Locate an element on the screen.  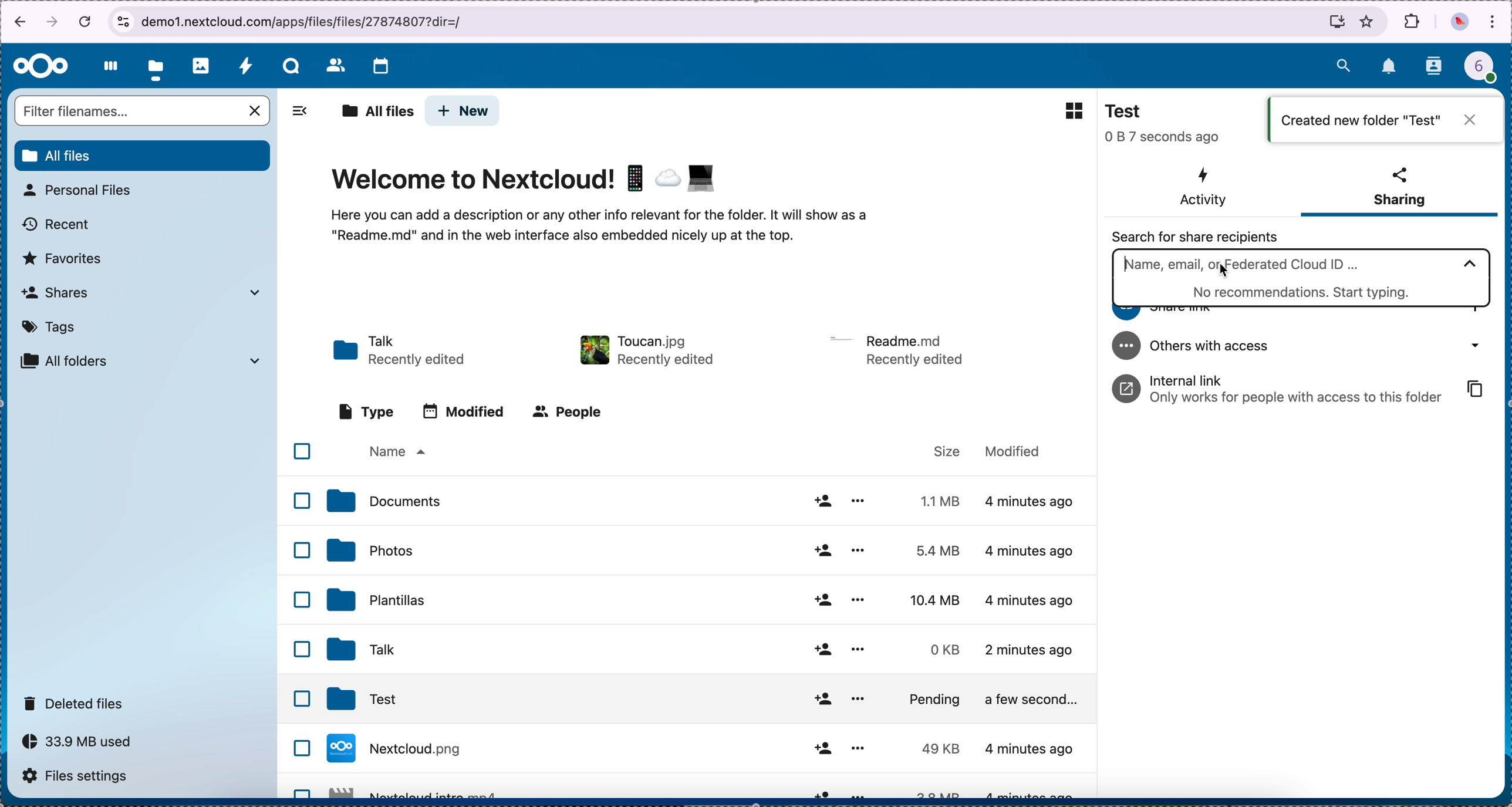
contacts is located at coordinates (1435, 67).